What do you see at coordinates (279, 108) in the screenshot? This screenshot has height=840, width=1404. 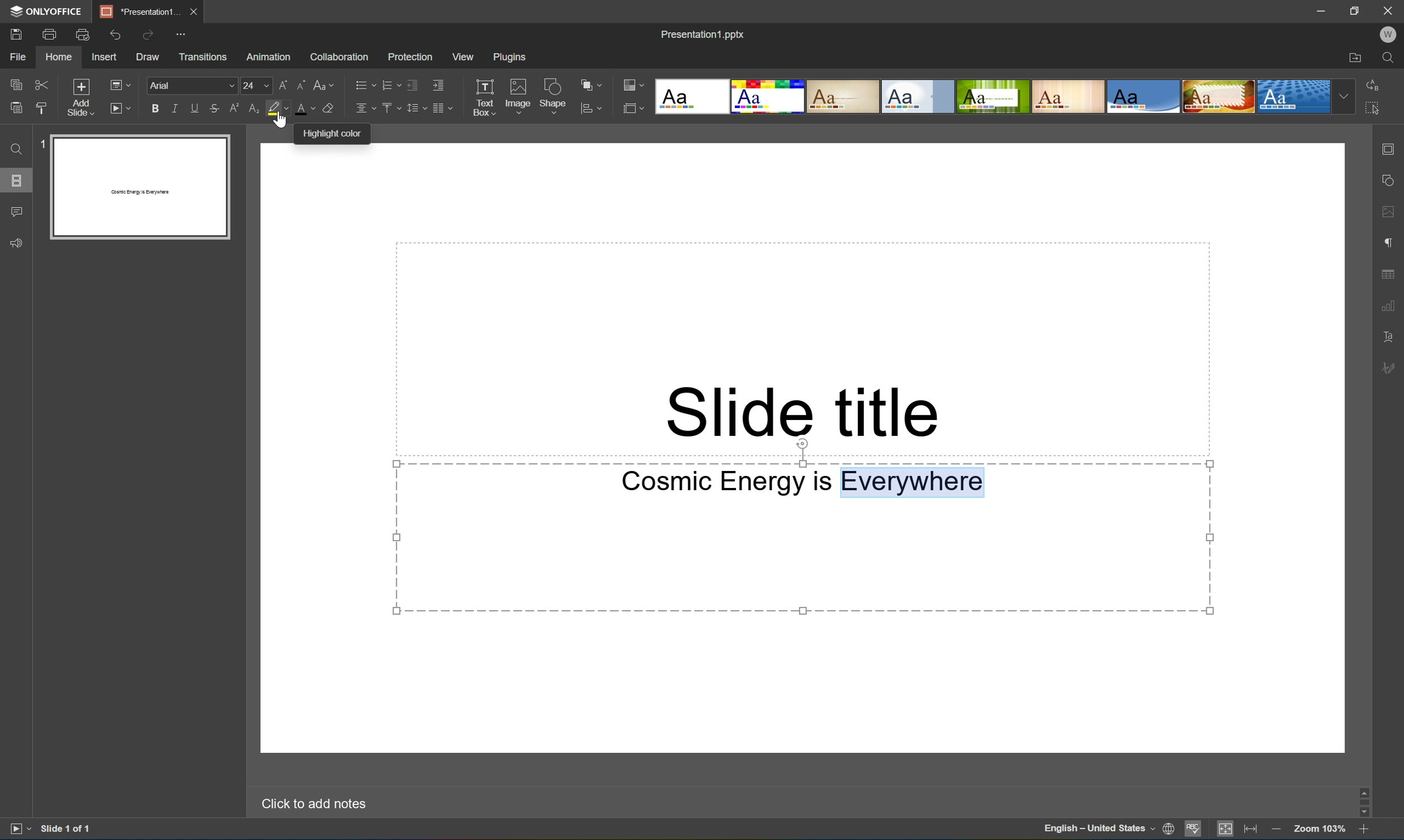 I see `Highlight color` at bounding box center [279, 108].